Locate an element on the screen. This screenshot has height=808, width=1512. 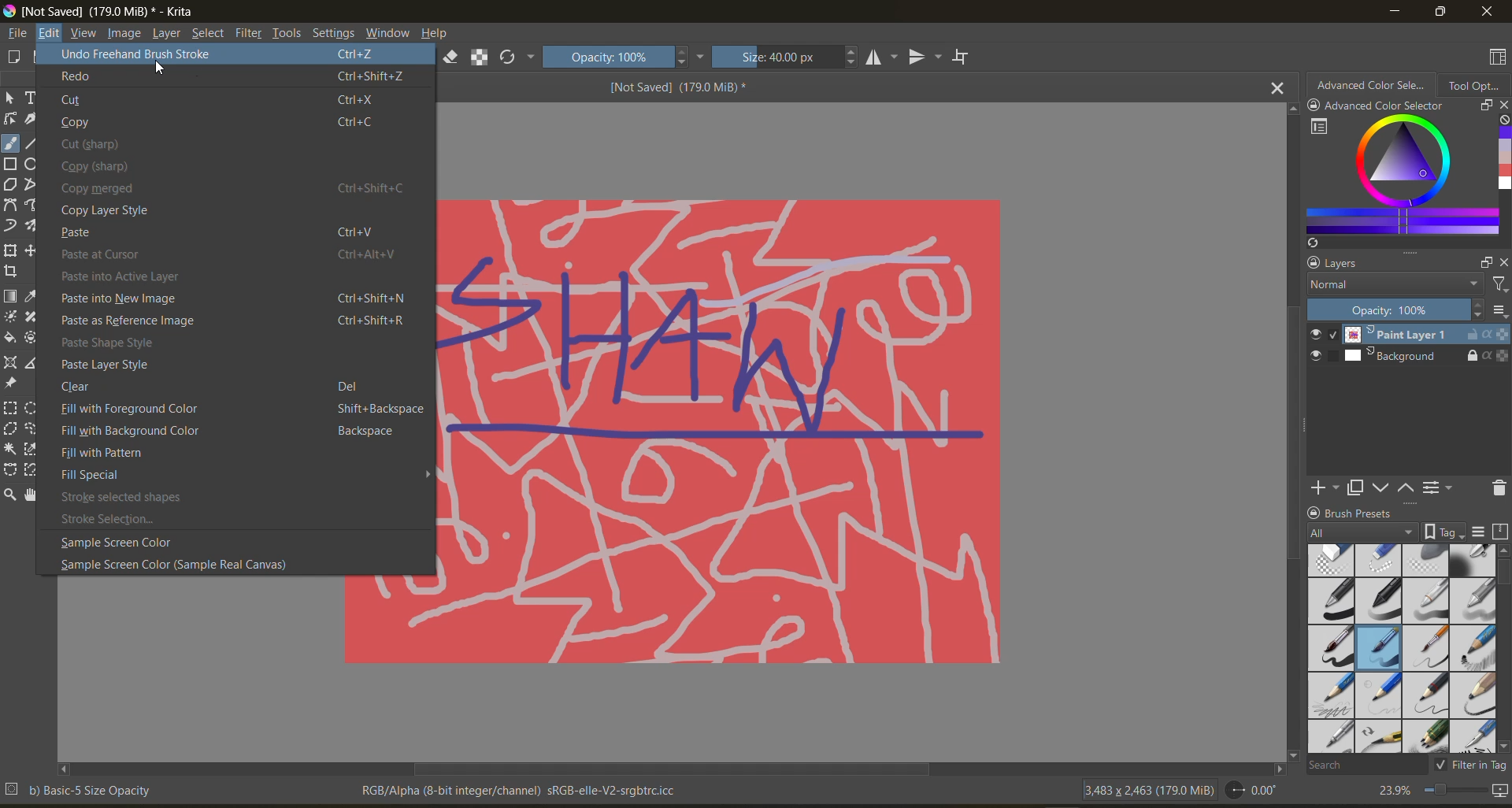
smart patch tool is located at coordinates (32, 317).